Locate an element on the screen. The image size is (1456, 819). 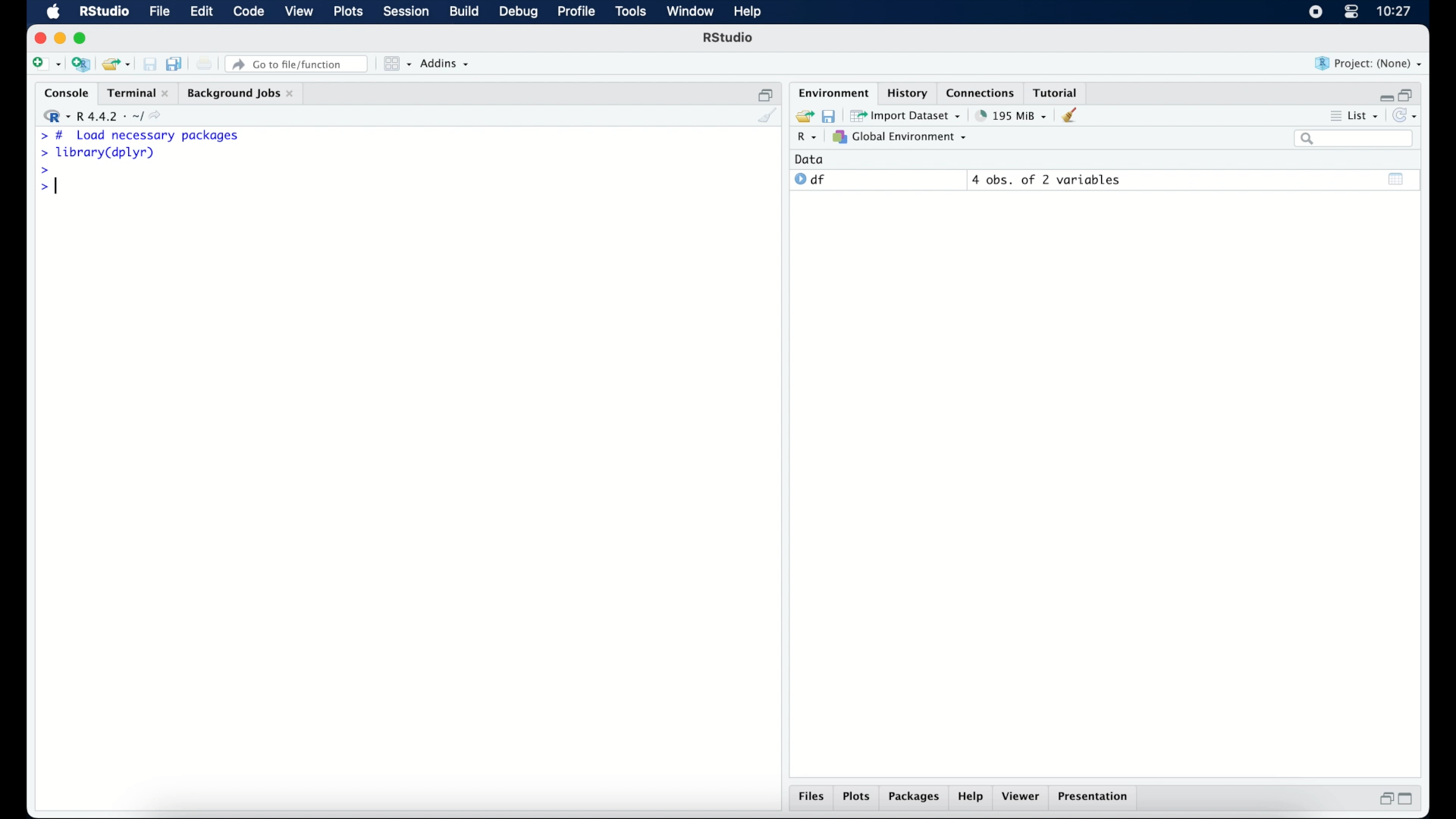
plots is located at coordinates (858, 798).